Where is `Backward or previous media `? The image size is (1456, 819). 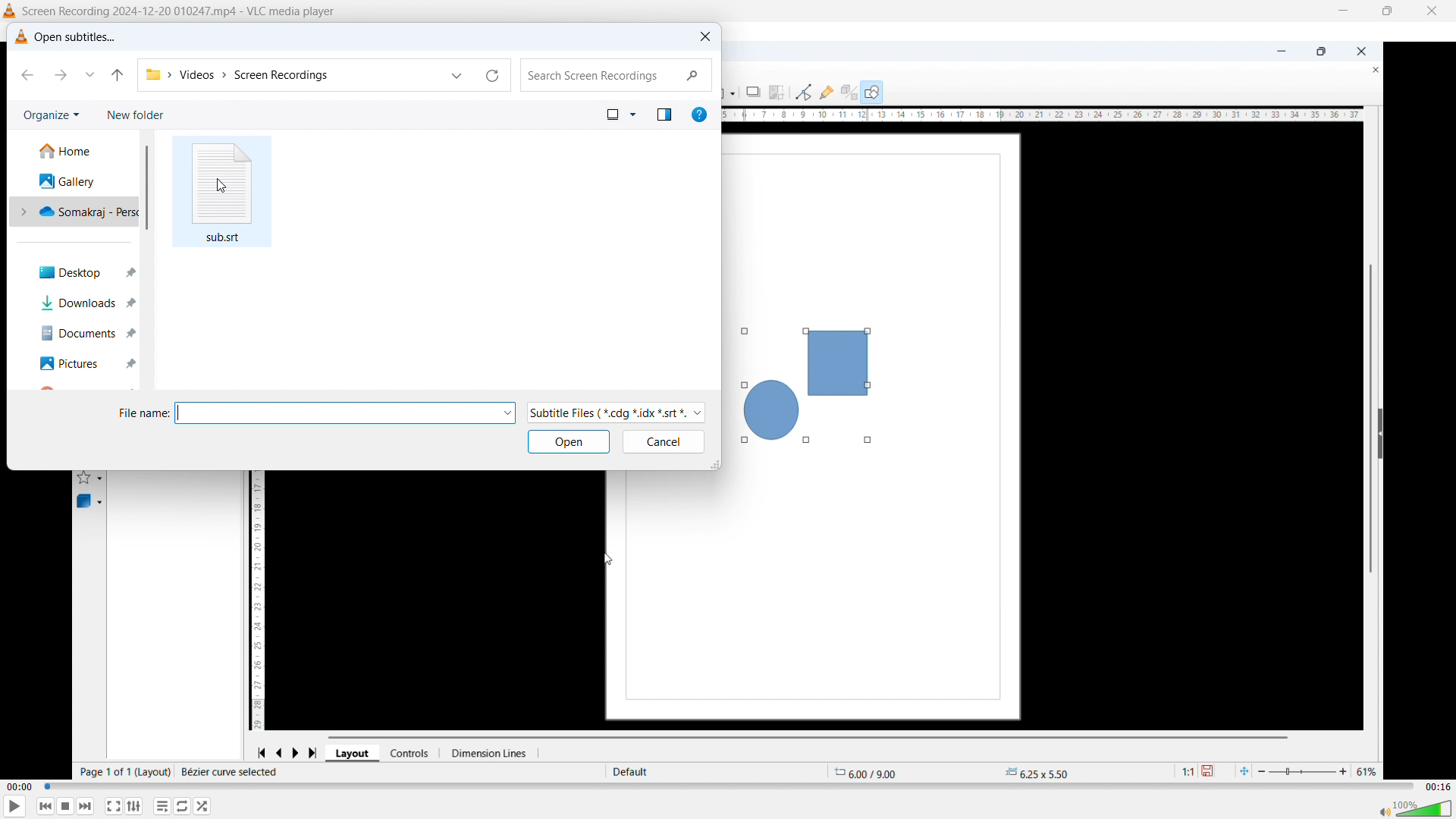 Backward or previous media  is located at coordinates (45, 806).